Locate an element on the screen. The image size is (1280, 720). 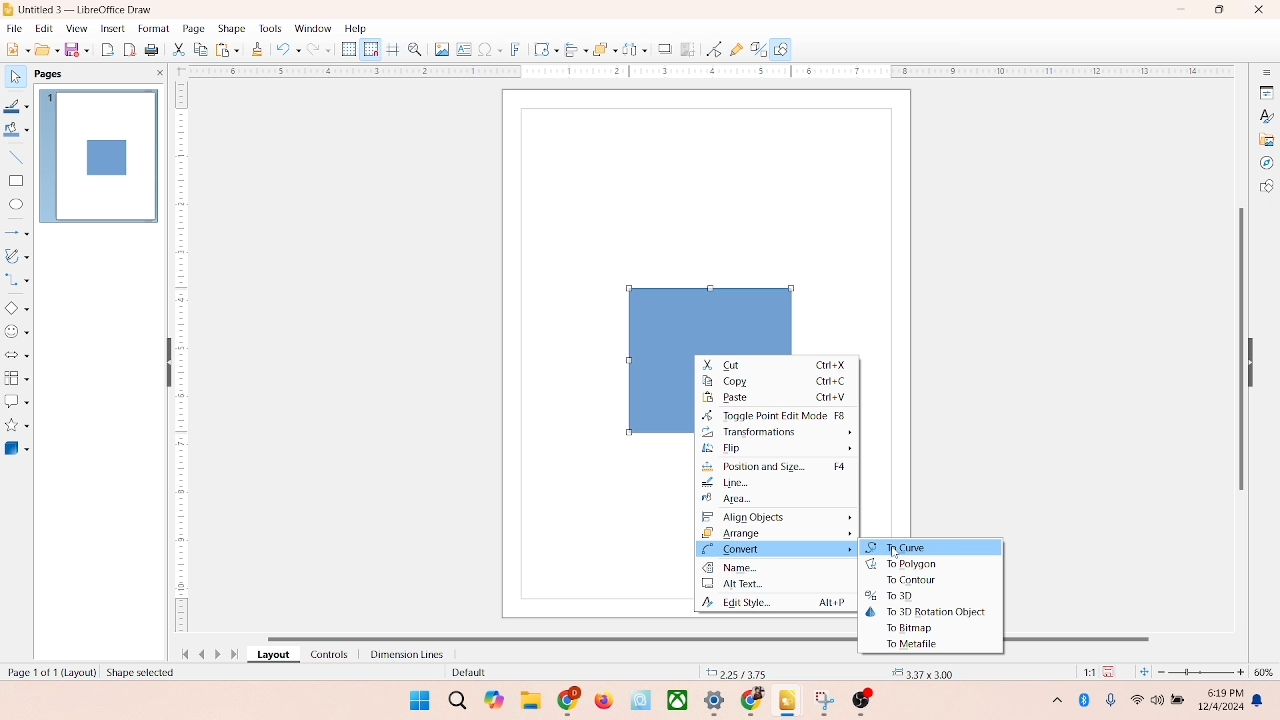
zoom percentage is located at coordinates (1267, 672).